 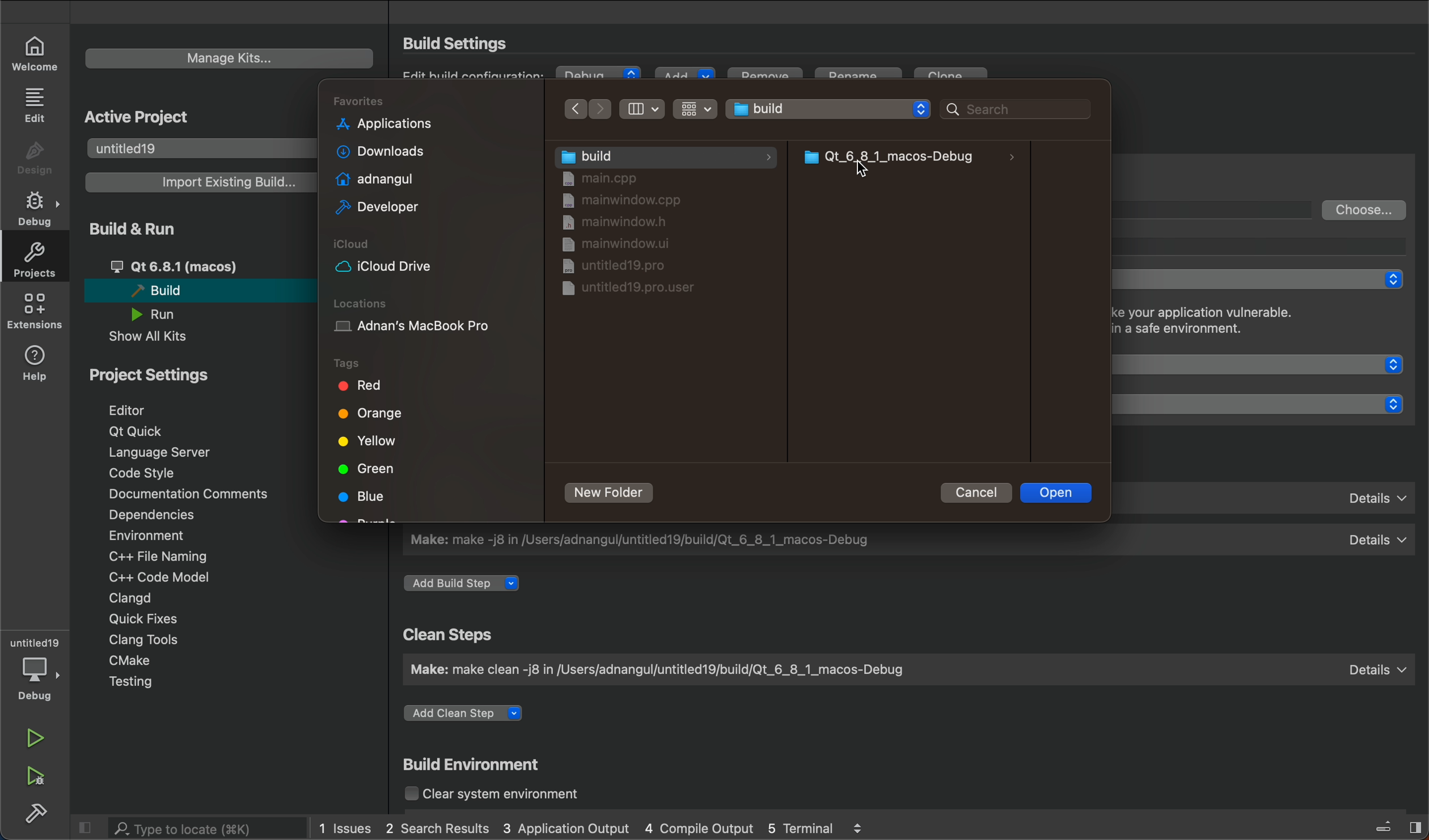 What do you see at coordinates (373, 361) in the screenshot?
I see `tags` at bounding box center [373, 361].